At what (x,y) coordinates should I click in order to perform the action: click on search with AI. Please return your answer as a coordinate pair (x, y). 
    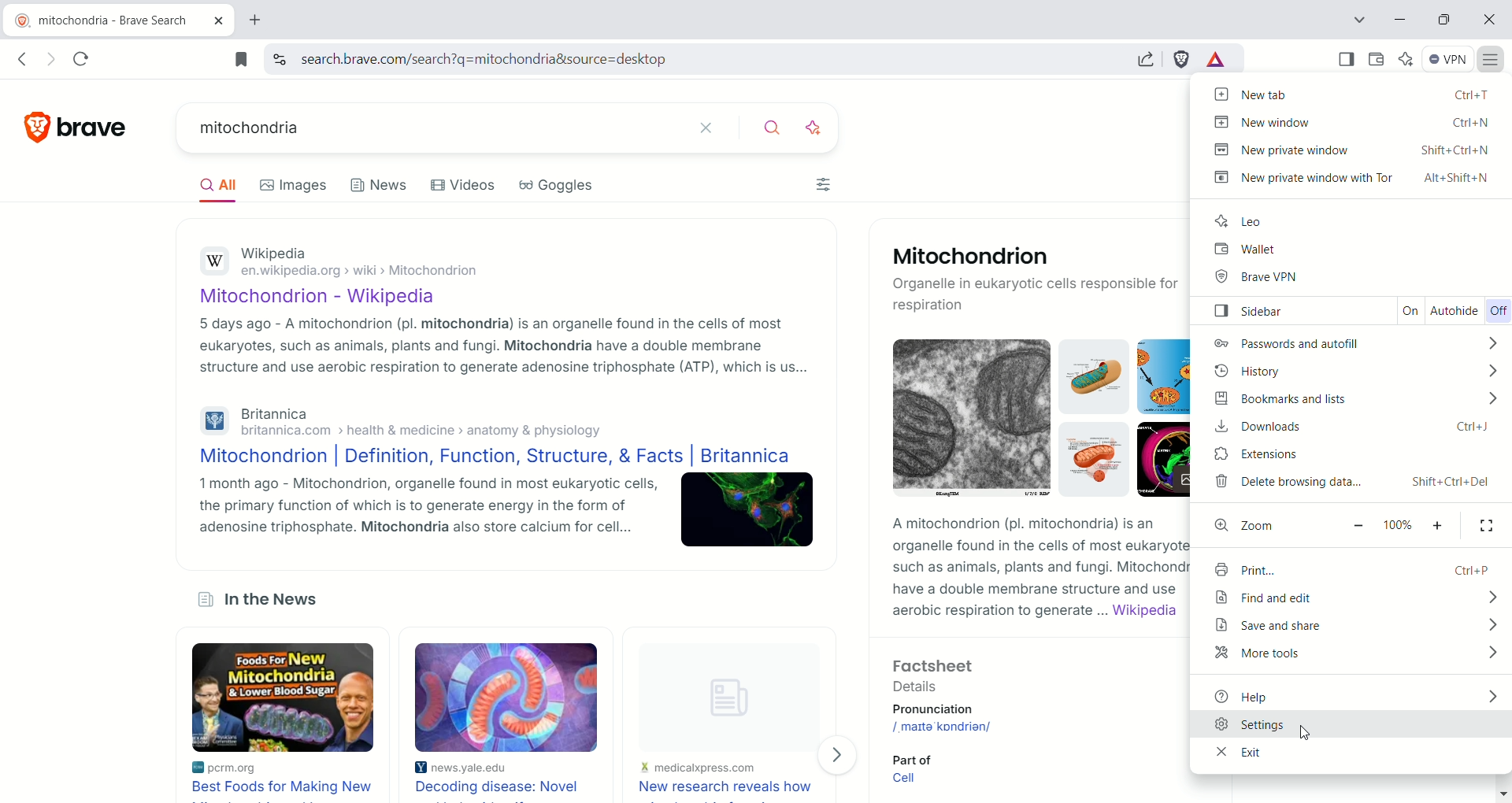
    Looking at the image, I should click on (817, 130).